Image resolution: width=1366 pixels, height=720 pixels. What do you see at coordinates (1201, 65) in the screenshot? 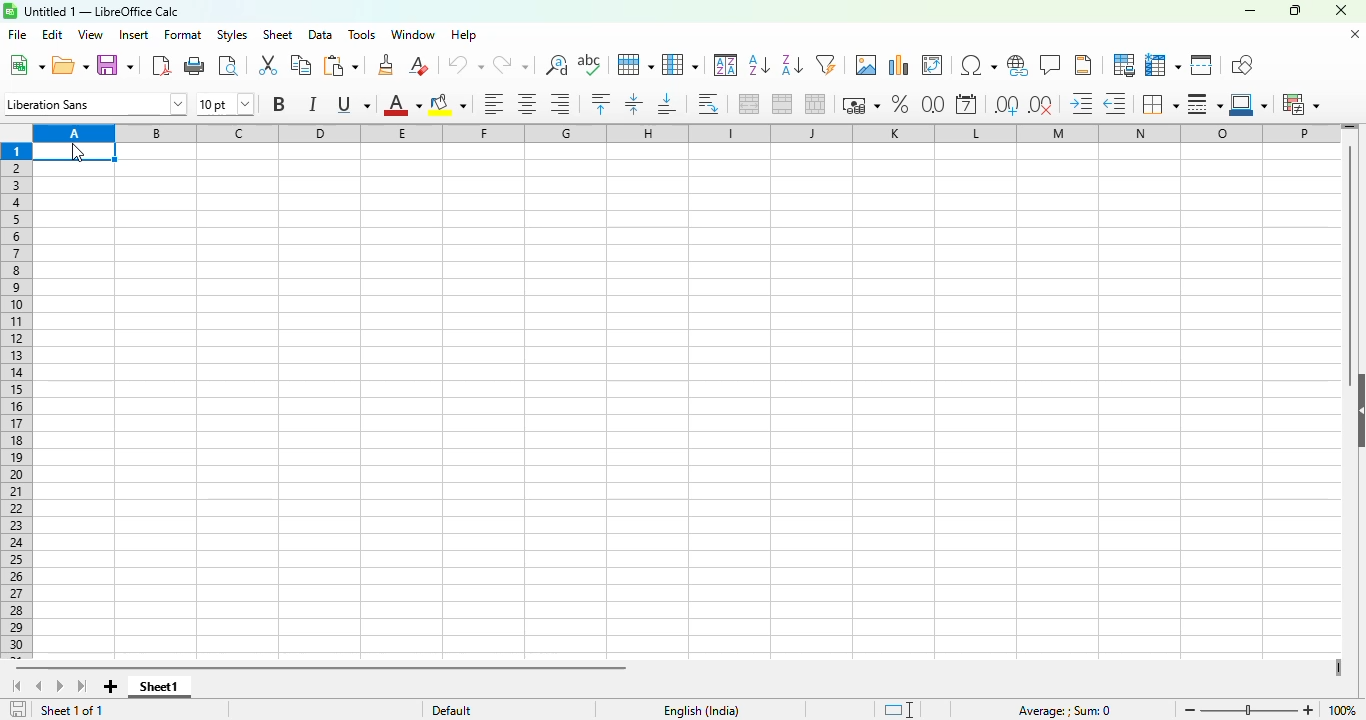
I see `split window` at bounding box center [1201, 65].